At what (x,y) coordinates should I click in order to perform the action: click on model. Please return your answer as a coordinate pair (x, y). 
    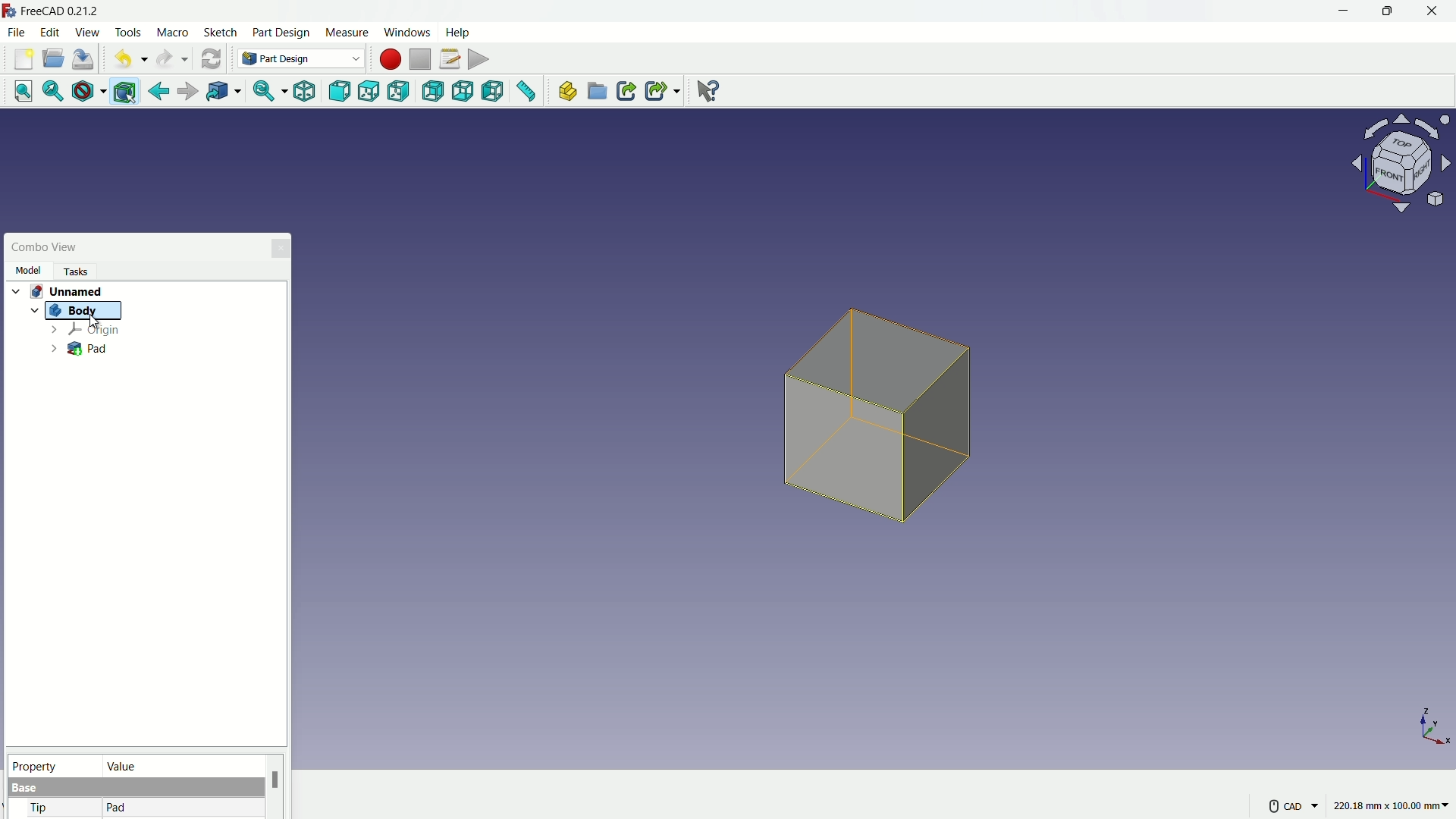
    Looking at the image, I should click on (27, 270).